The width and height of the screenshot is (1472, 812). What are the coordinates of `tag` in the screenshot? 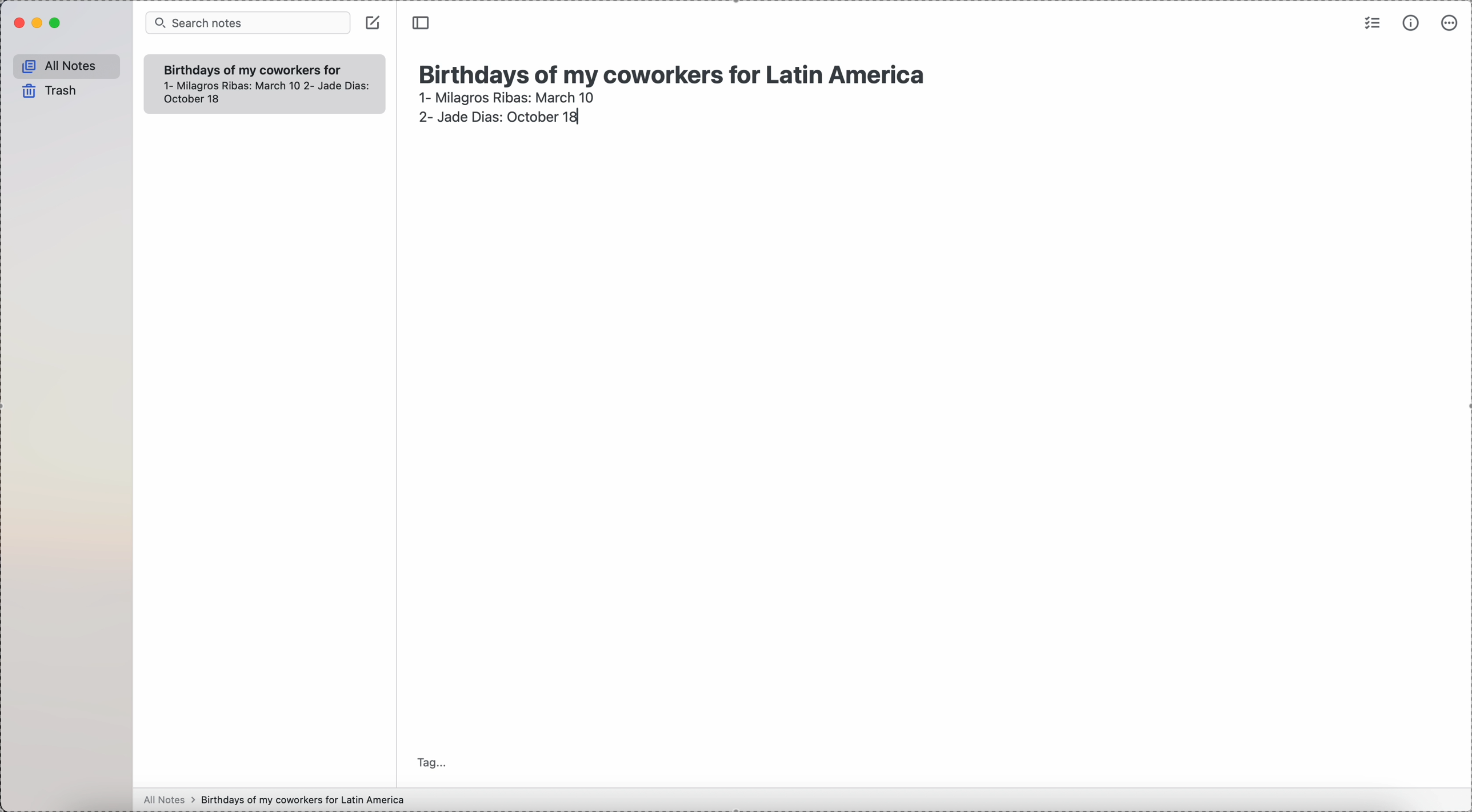 It's located at (433, 762).